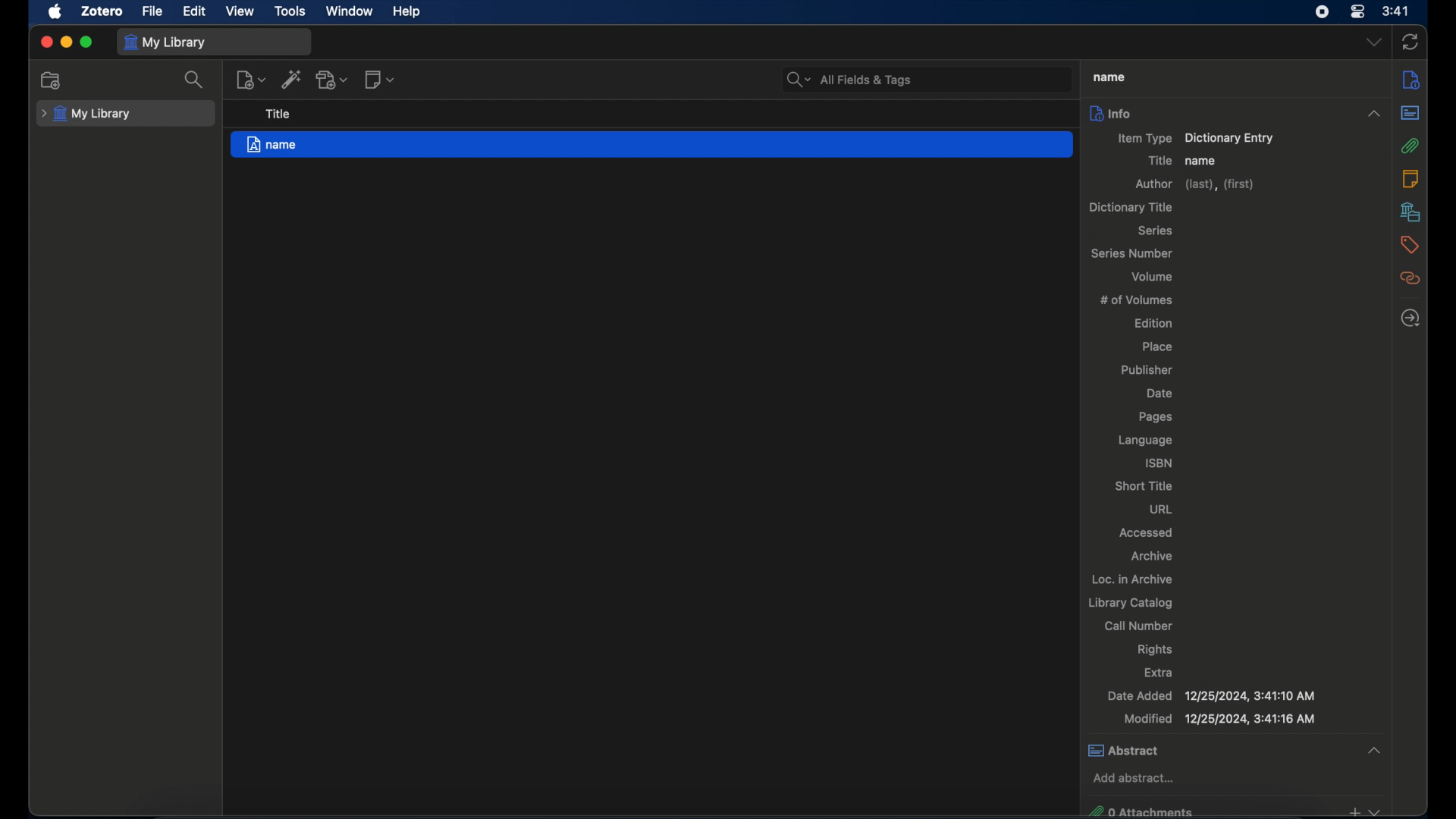 Image resolution: width=1456 pixels, height=819 pixels. What do you see at coordinates (1155, 417) in the screenshot?
I see `pages` at bounding box center [1155, 417].